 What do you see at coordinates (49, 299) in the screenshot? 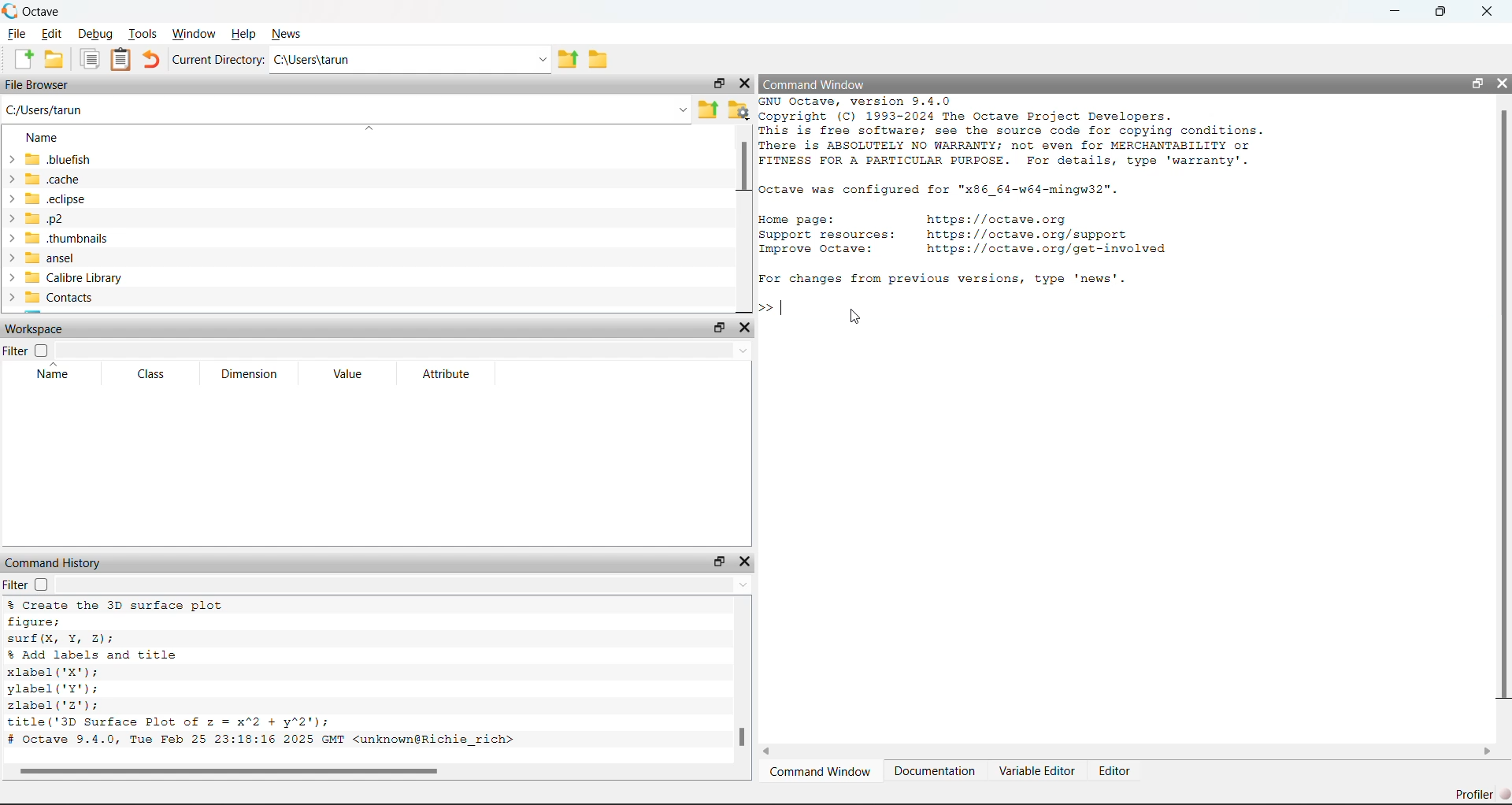
I see `Contacts` at bounding box center [49, 299].